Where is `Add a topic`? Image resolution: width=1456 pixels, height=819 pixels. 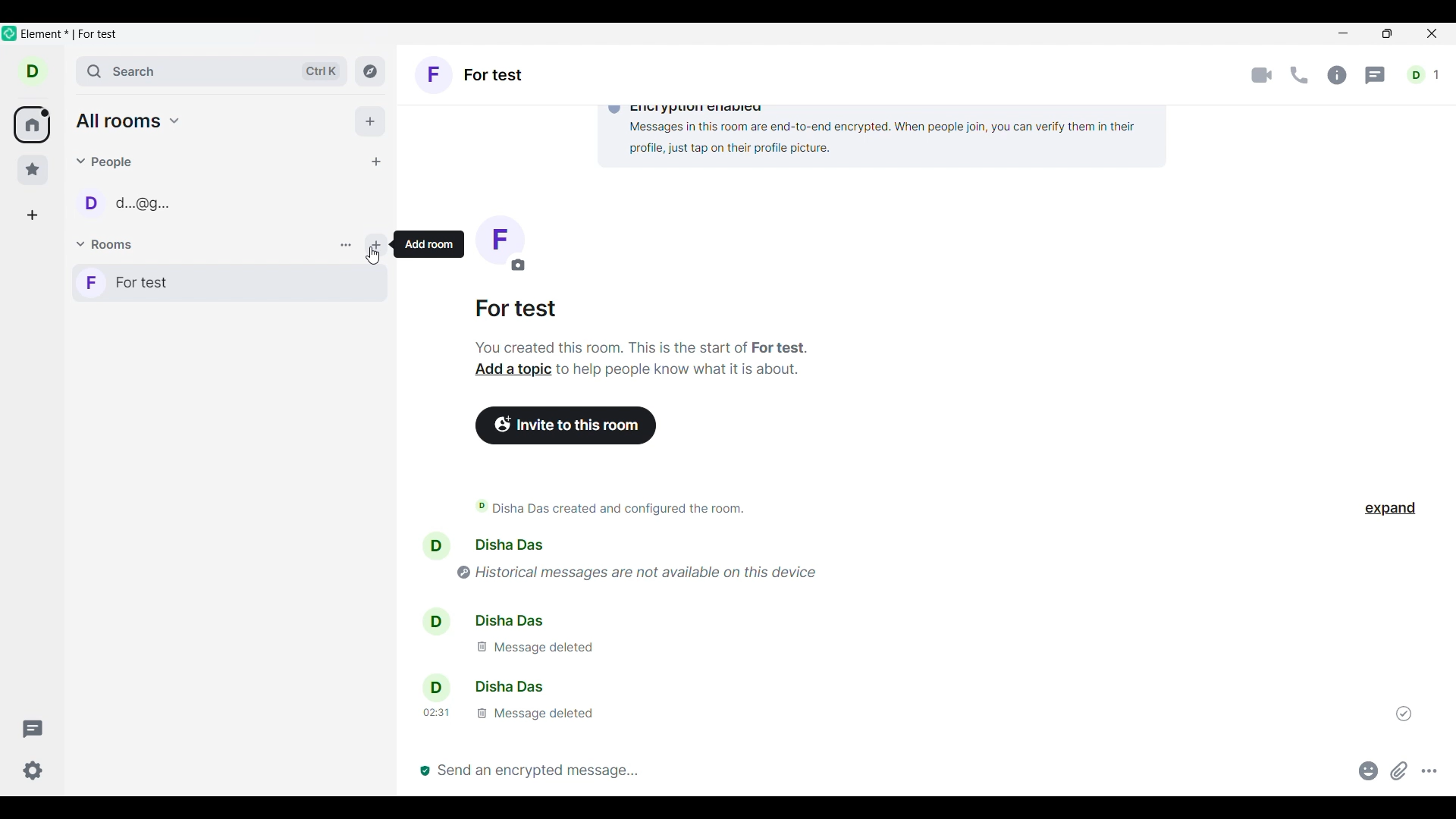
Add a topic is located at coordinates (513, 368).